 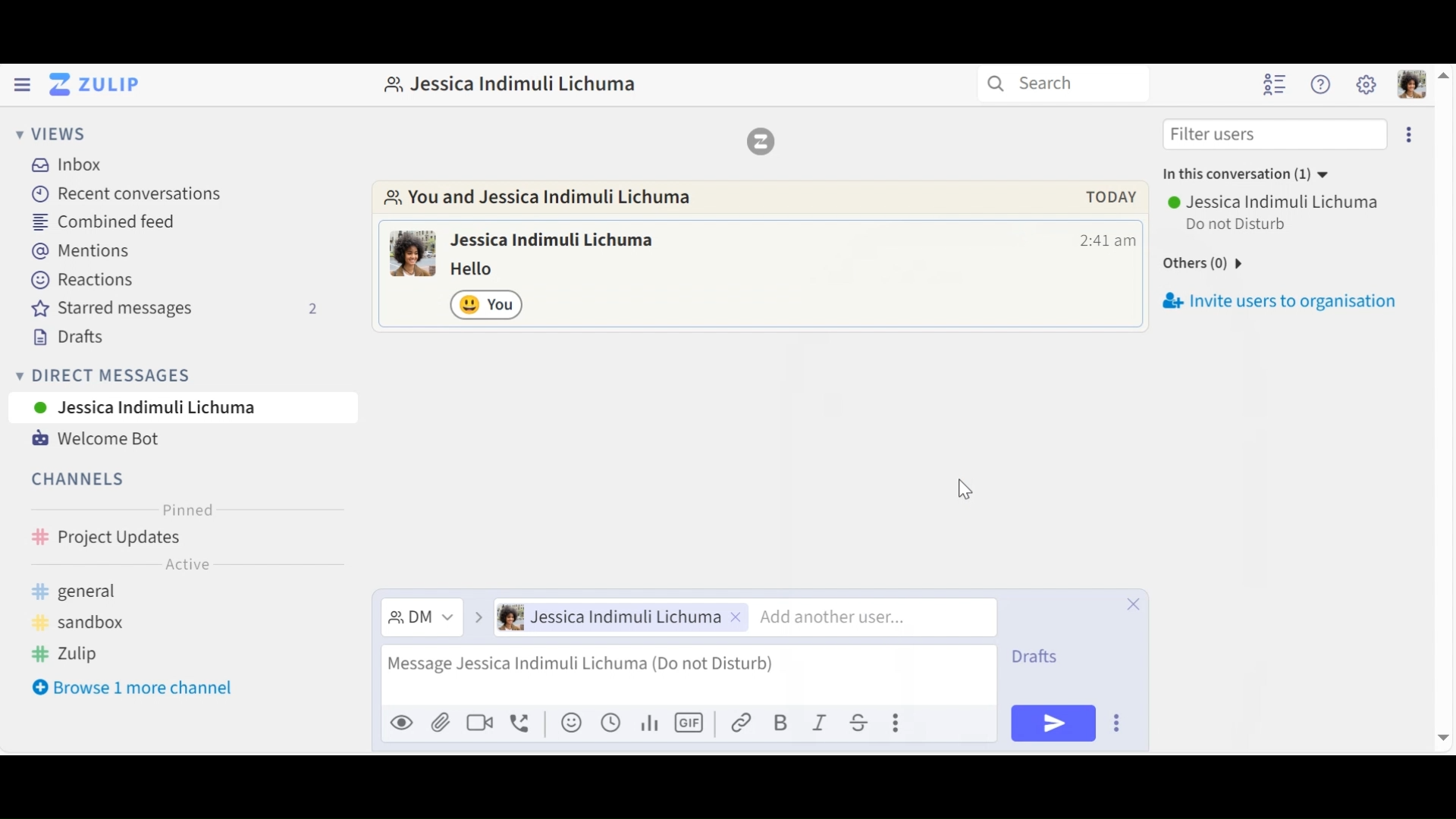 I want to click on Reactions, so click(x=80, y=281).